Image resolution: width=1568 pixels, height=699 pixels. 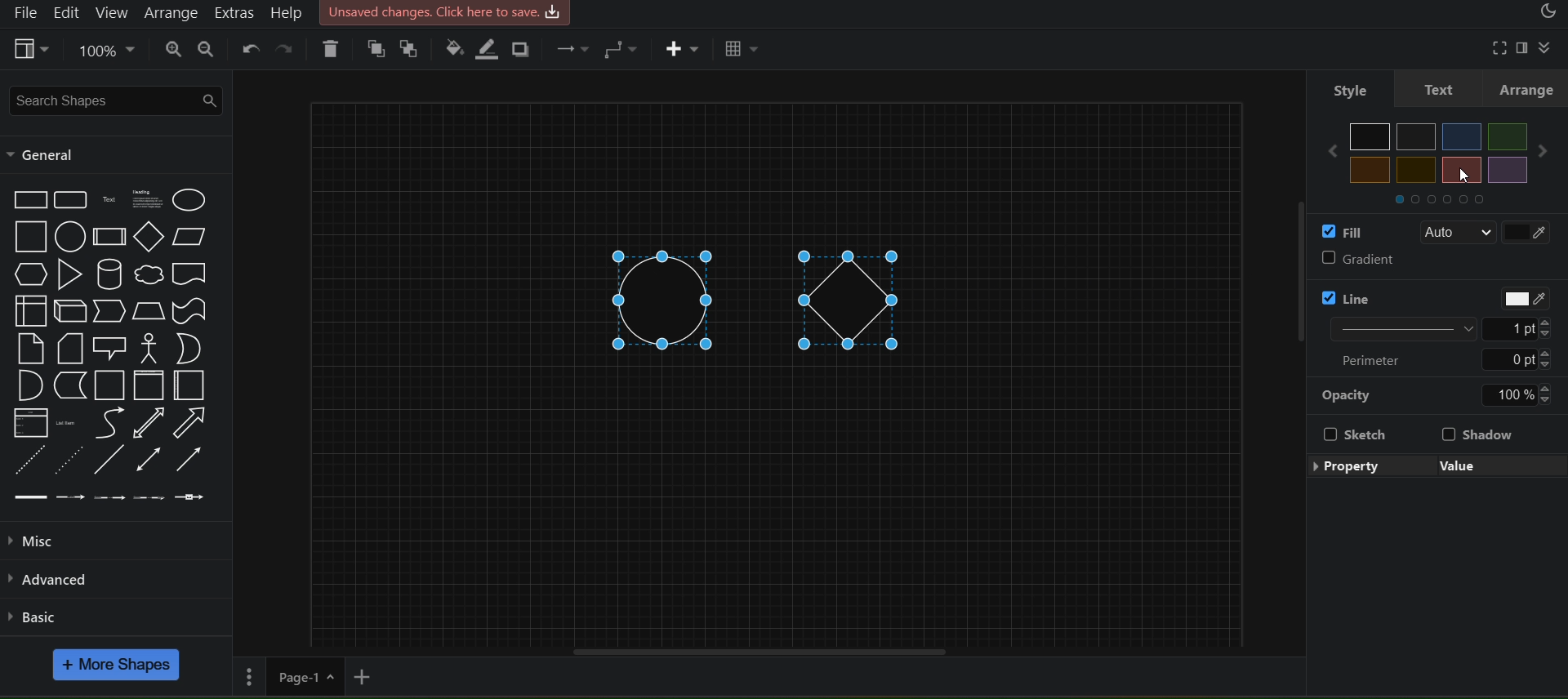 I want to click on Container, so click(x=109, y=385).